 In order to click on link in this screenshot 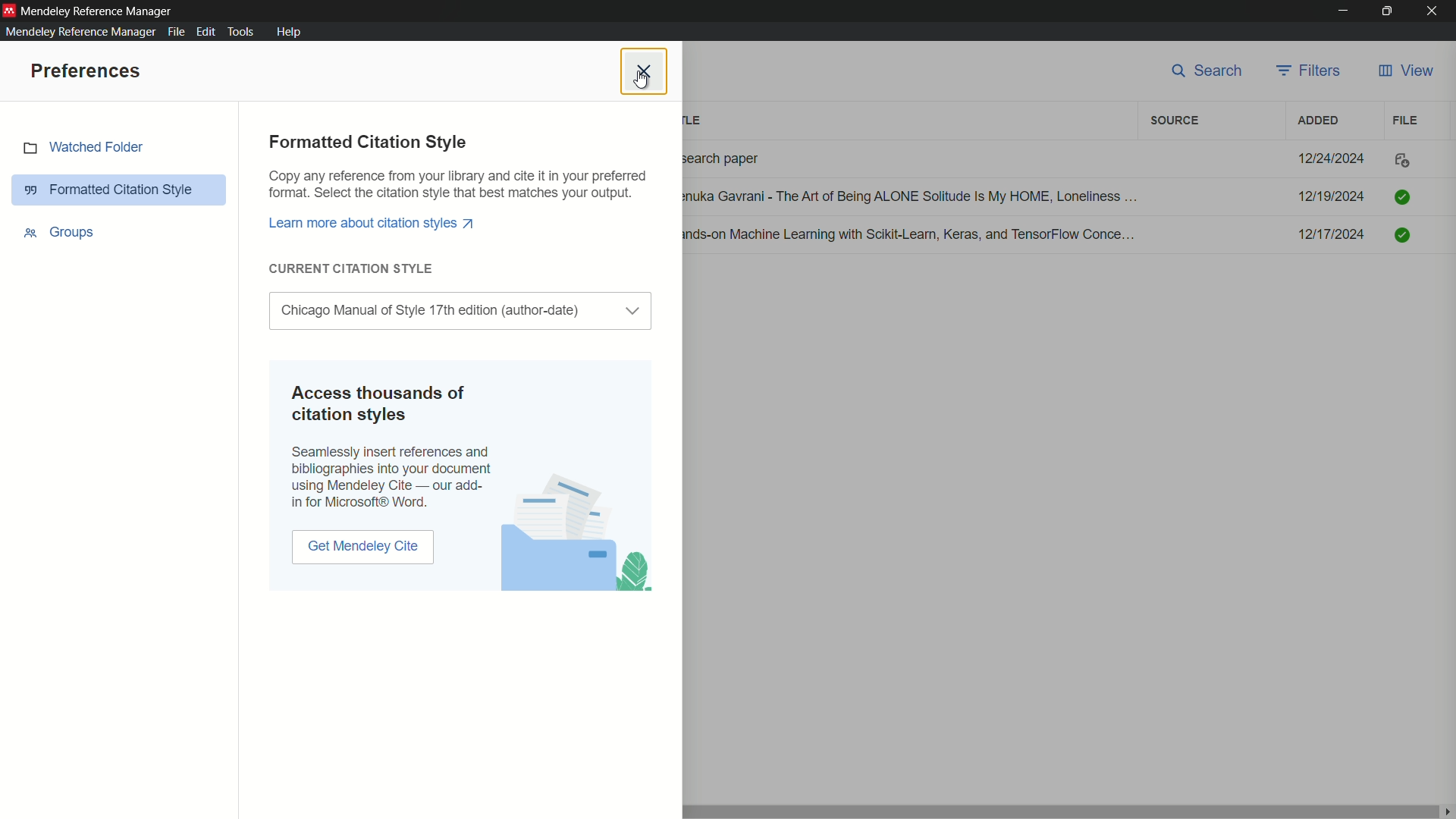, I will do `click(375, 222)`.